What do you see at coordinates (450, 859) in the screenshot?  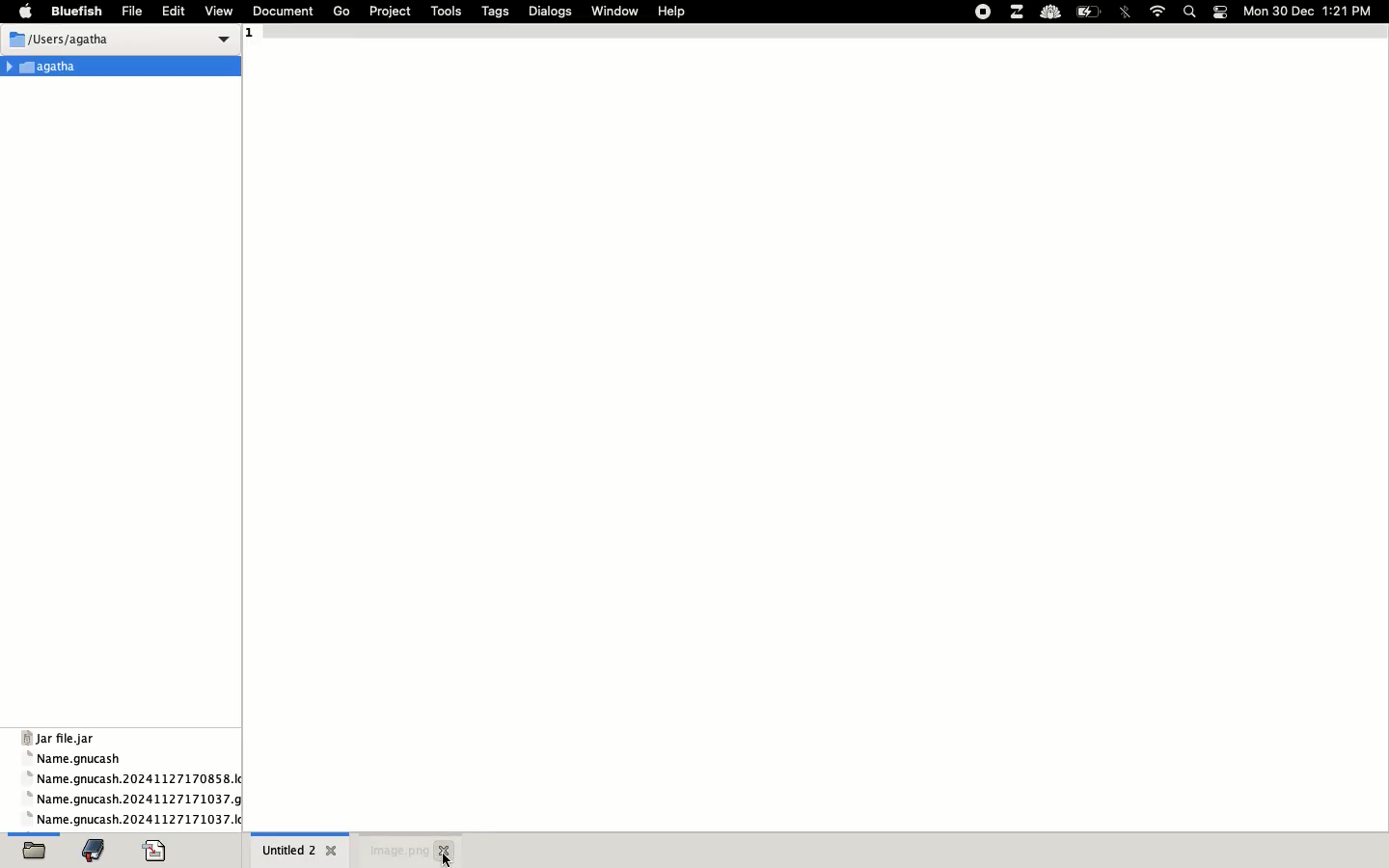 I see `cursor` at bounding box center [450, 859].